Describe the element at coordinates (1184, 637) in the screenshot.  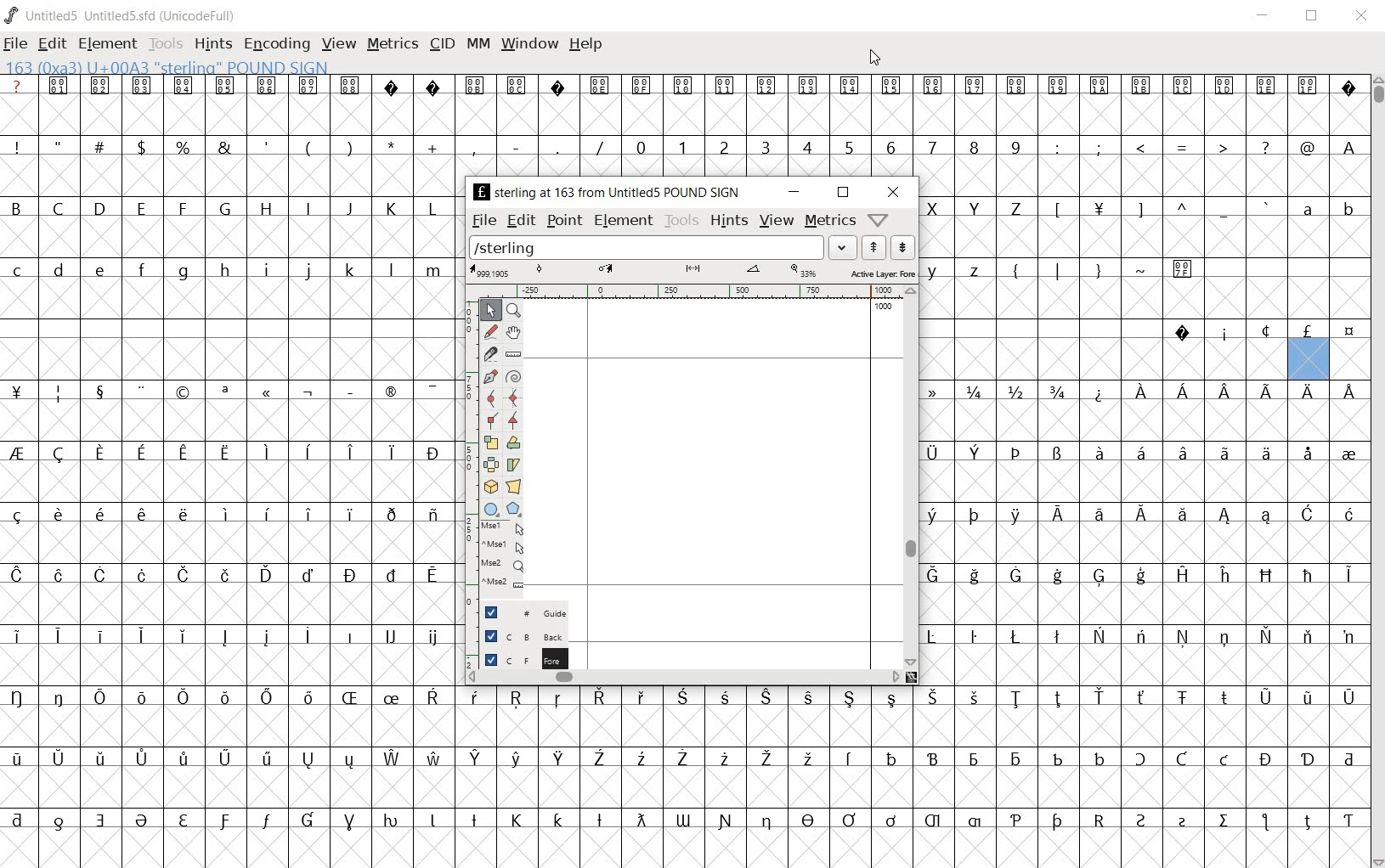
I see `Symbol` at that location.